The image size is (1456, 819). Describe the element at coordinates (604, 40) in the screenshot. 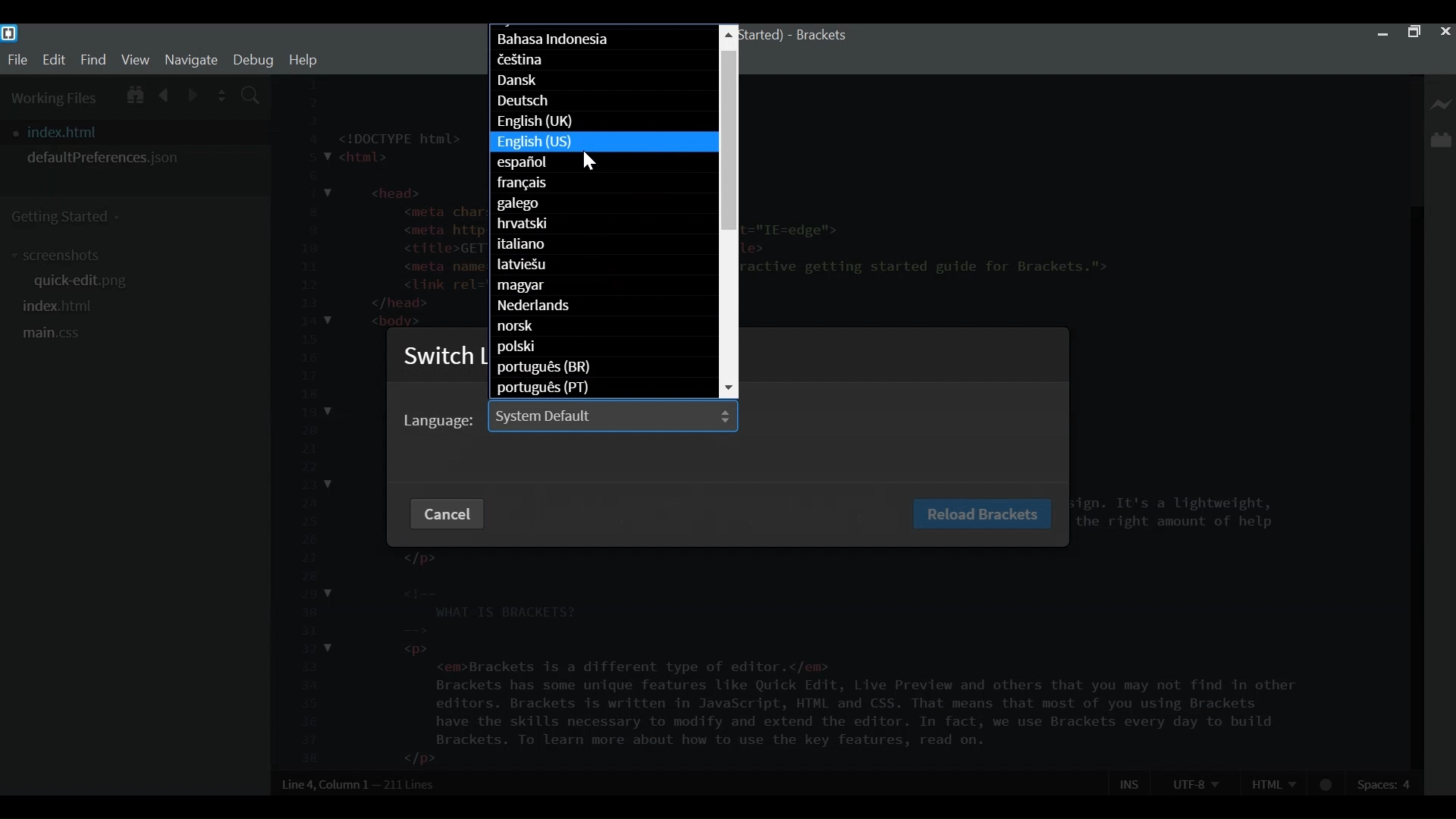

I see `Bahasa Indonesia` at that location.